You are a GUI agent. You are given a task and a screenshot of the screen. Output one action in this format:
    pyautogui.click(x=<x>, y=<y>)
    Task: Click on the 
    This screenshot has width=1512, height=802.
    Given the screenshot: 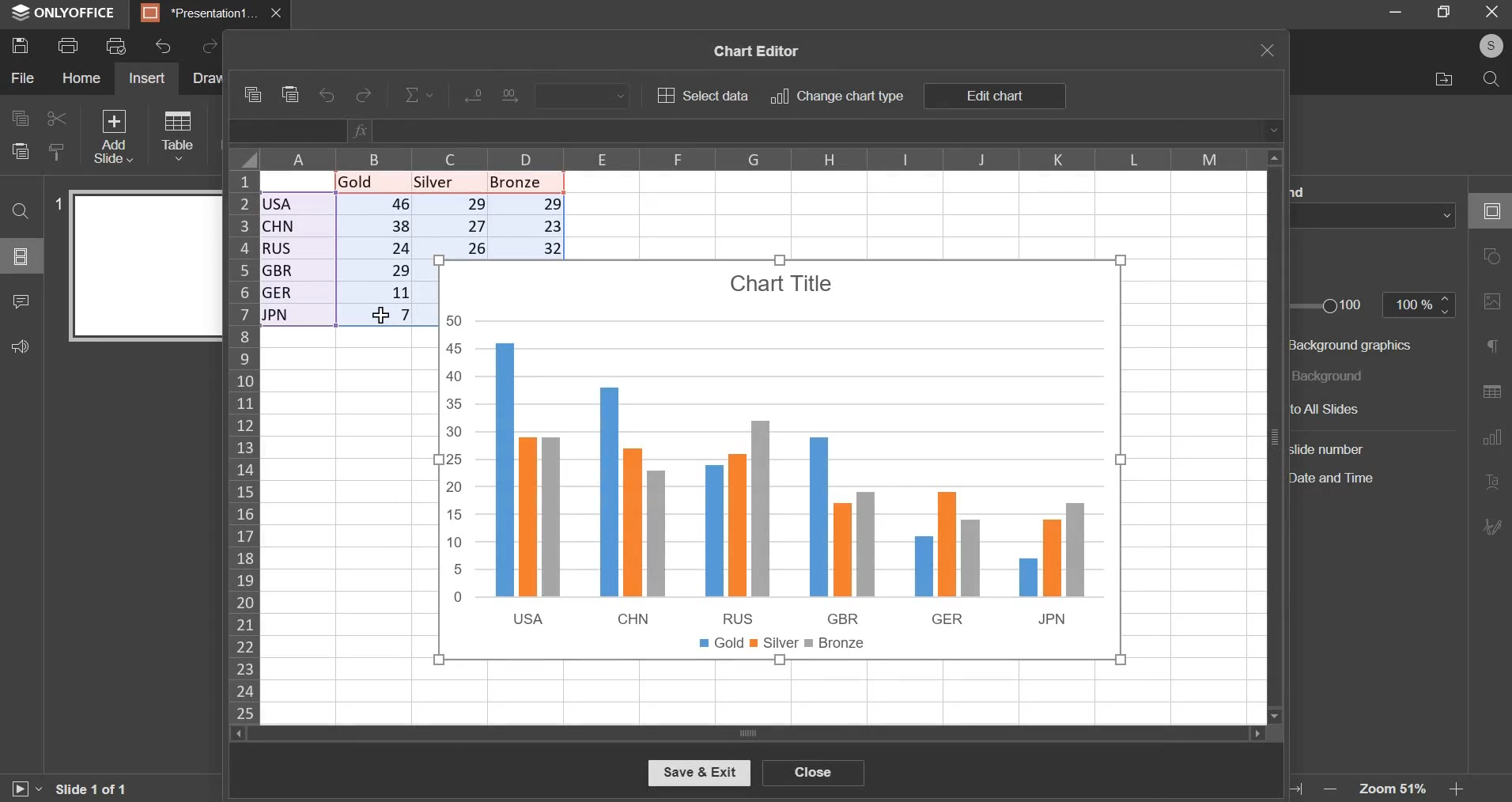 What is the action you would take?
    pyautogui.click(x=516, y=96)
    